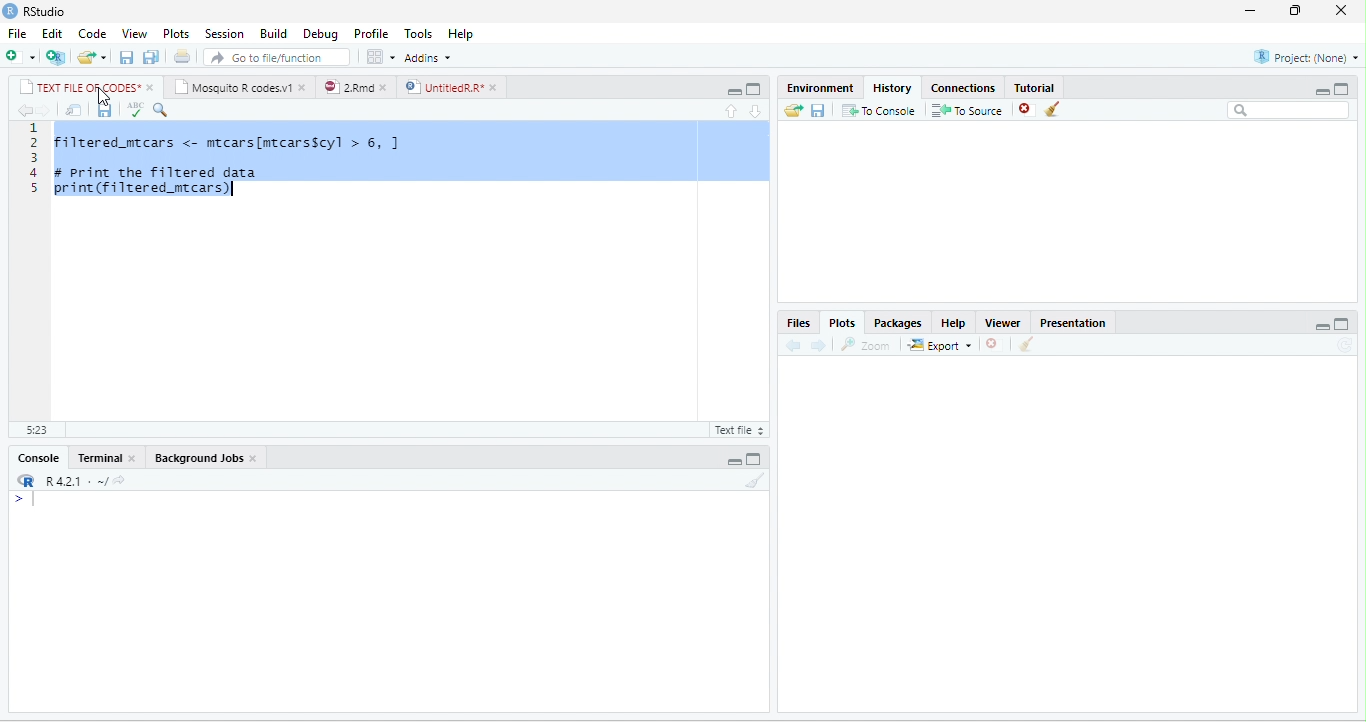 The width and height of the screenshot is (1366, 722). Describe the element at coordinates (731, 111) in the screenshot. I see `up` at that location.